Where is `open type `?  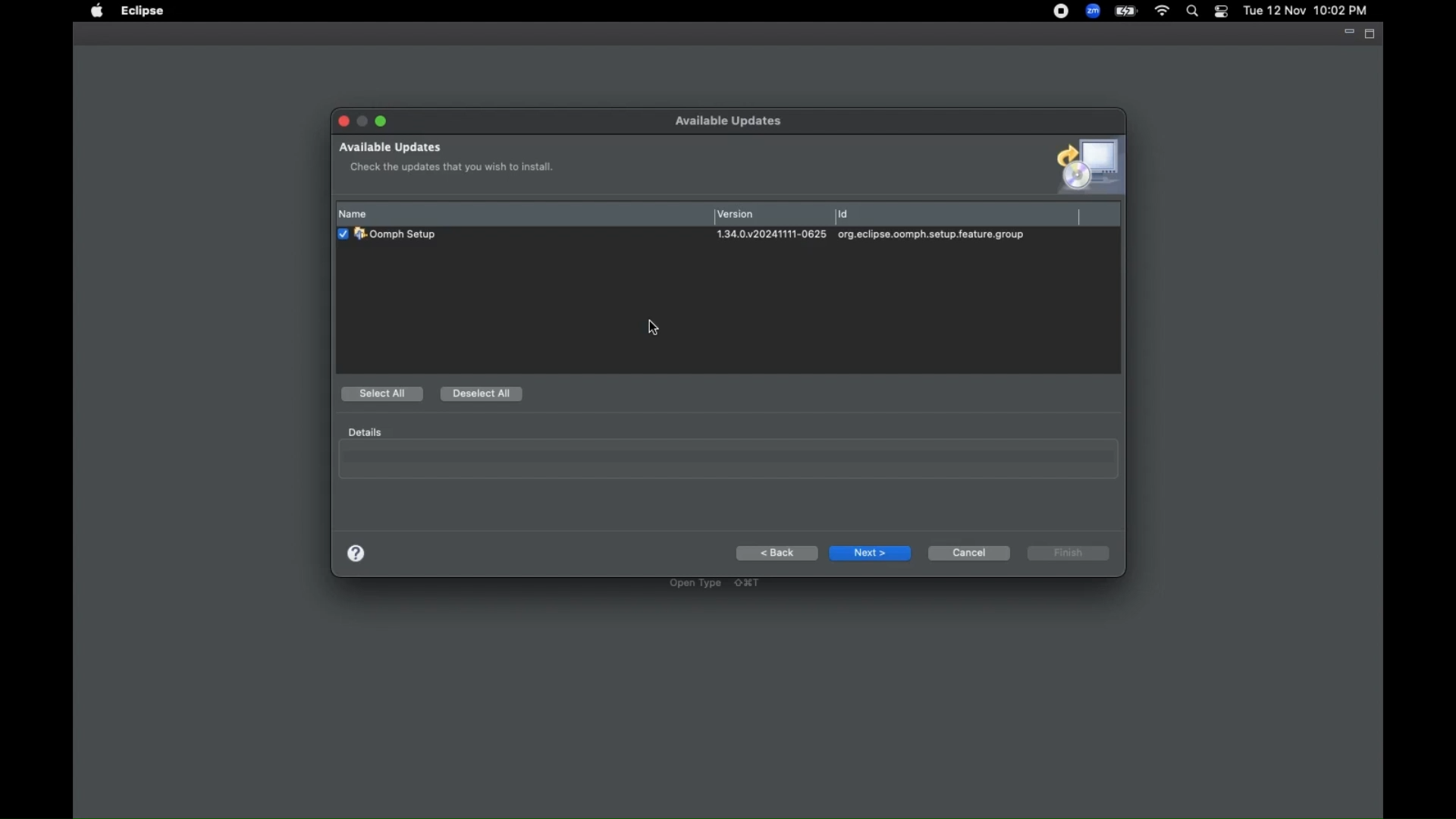
open type  is located at coordinates (715, 583).